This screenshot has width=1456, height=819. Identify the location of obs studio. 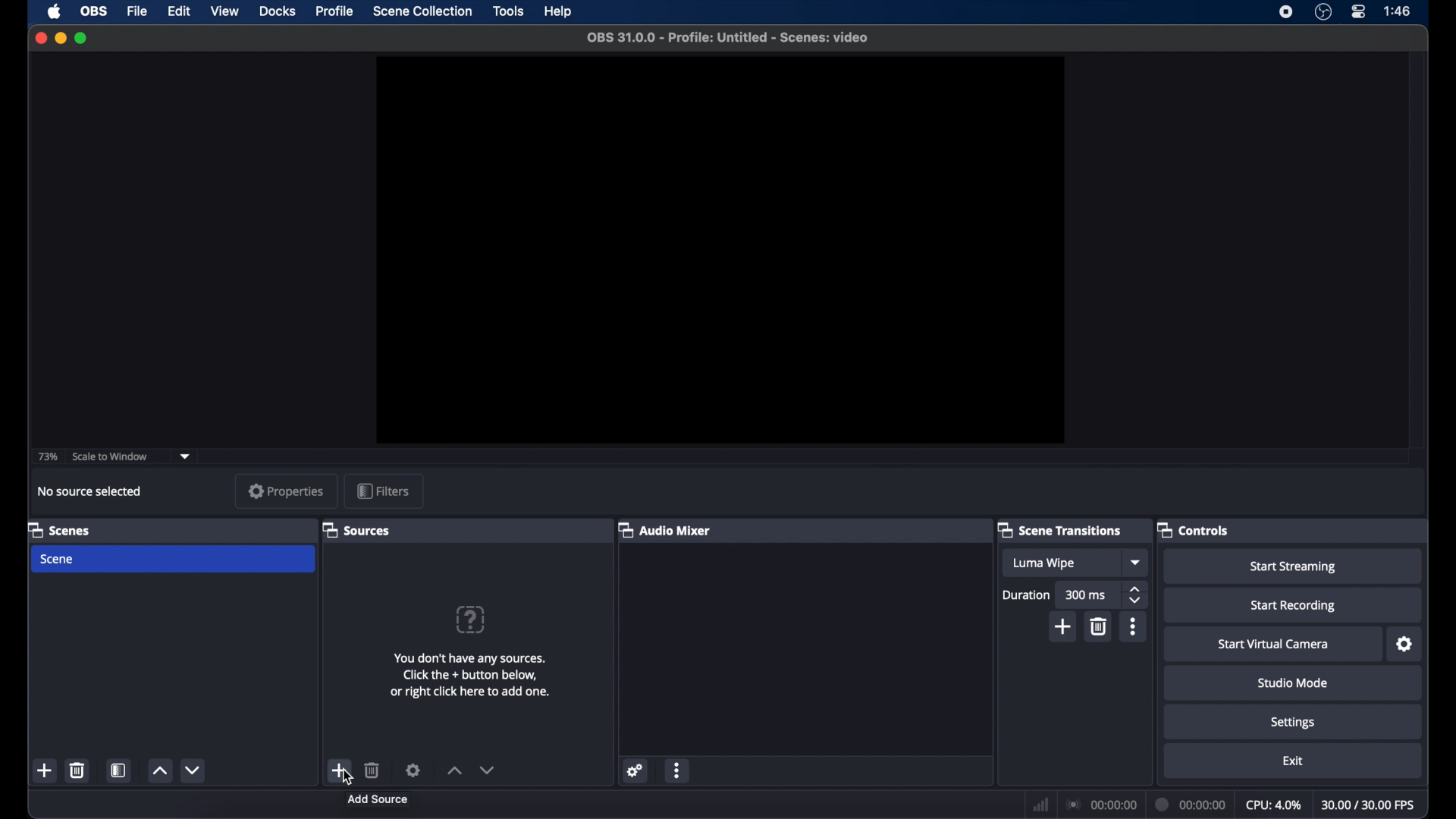
(1323, 11).